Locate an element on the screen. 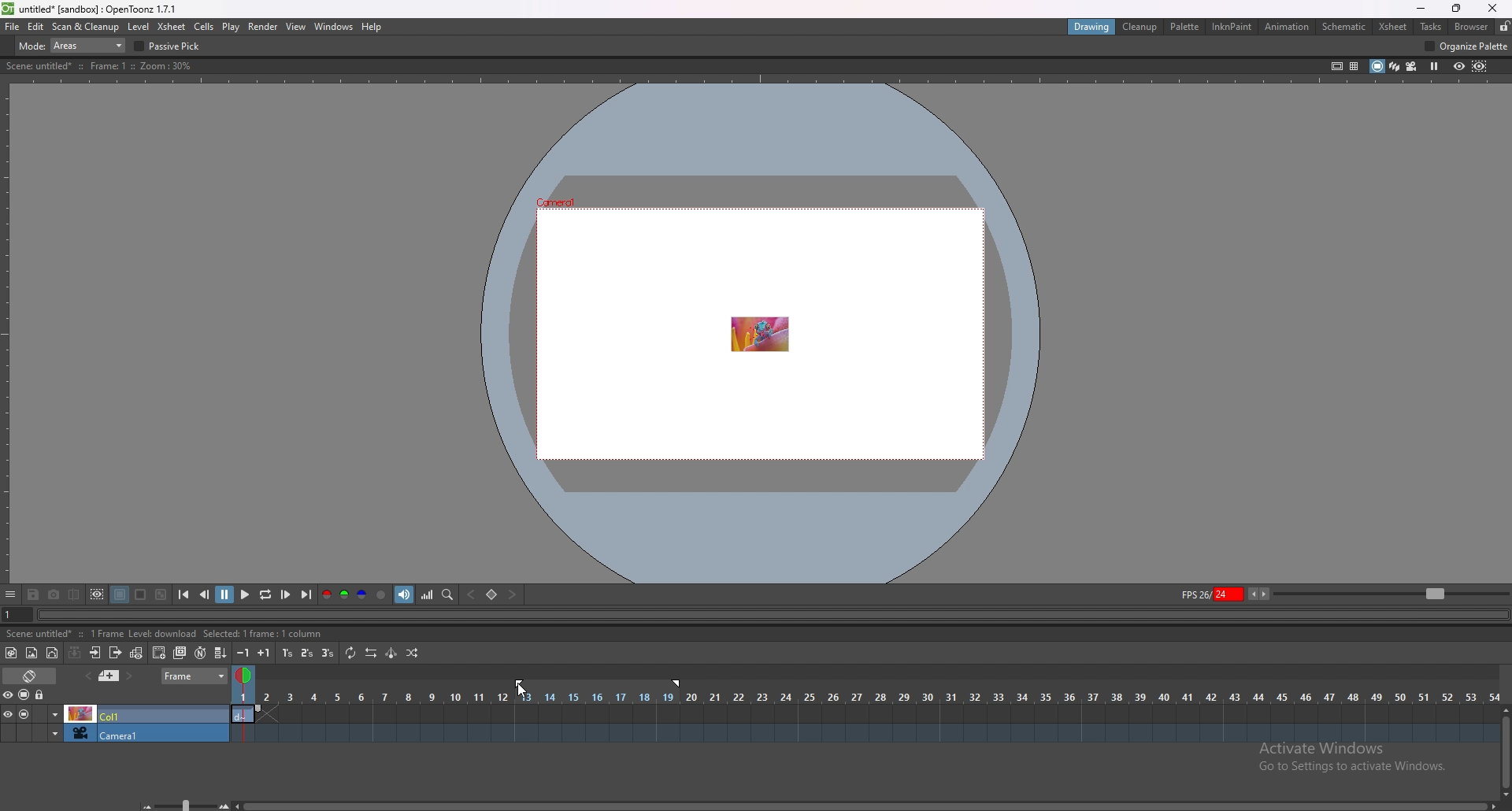 The image size is (1512, 811). define sub camera is located at coordinates (98, 594).